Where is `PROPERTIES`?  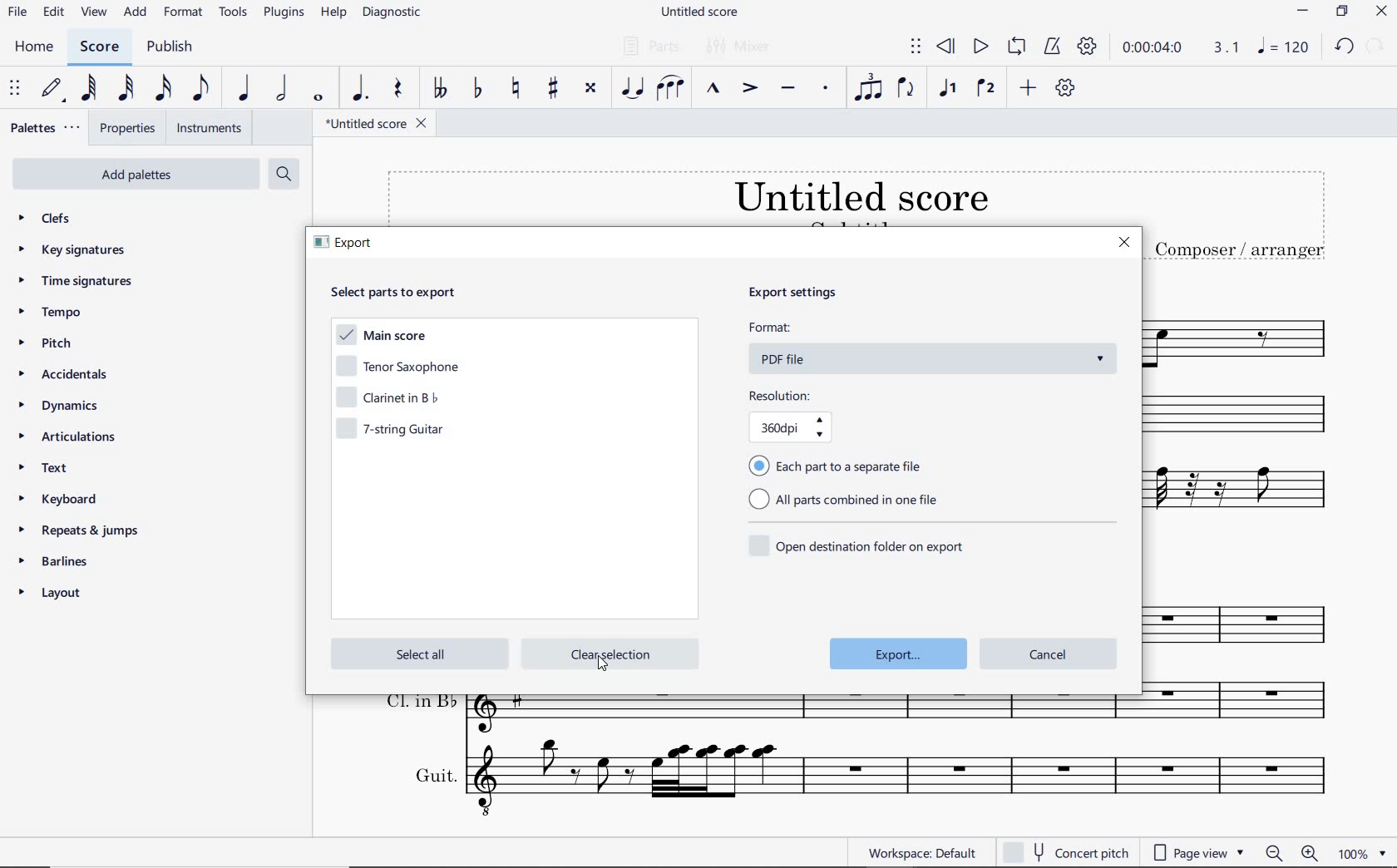 PROPERTIES is located at coordinates (128, 128).